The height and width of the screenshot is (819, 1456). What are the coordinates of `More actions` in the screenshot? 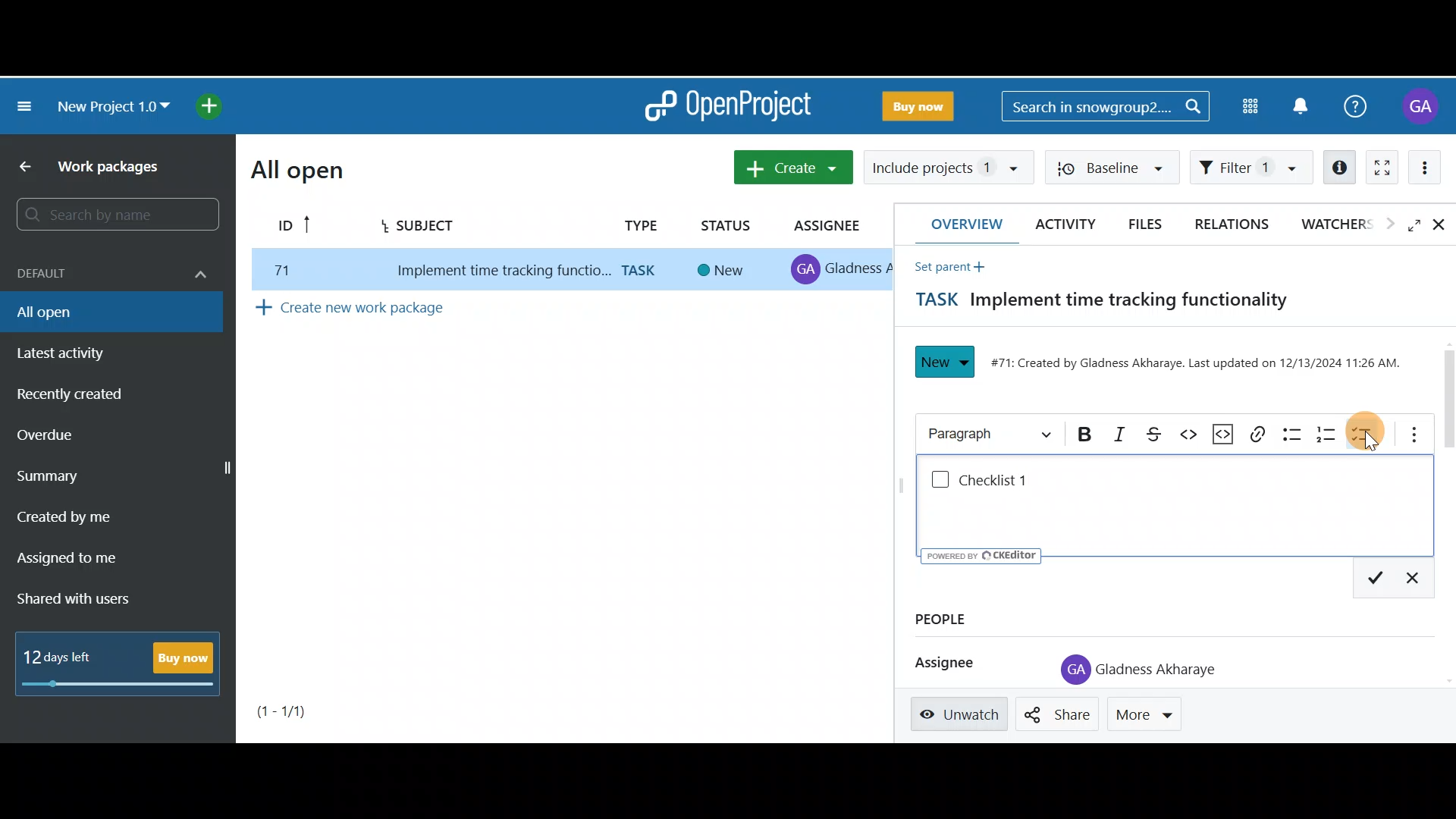 It's located at (1433, 168).